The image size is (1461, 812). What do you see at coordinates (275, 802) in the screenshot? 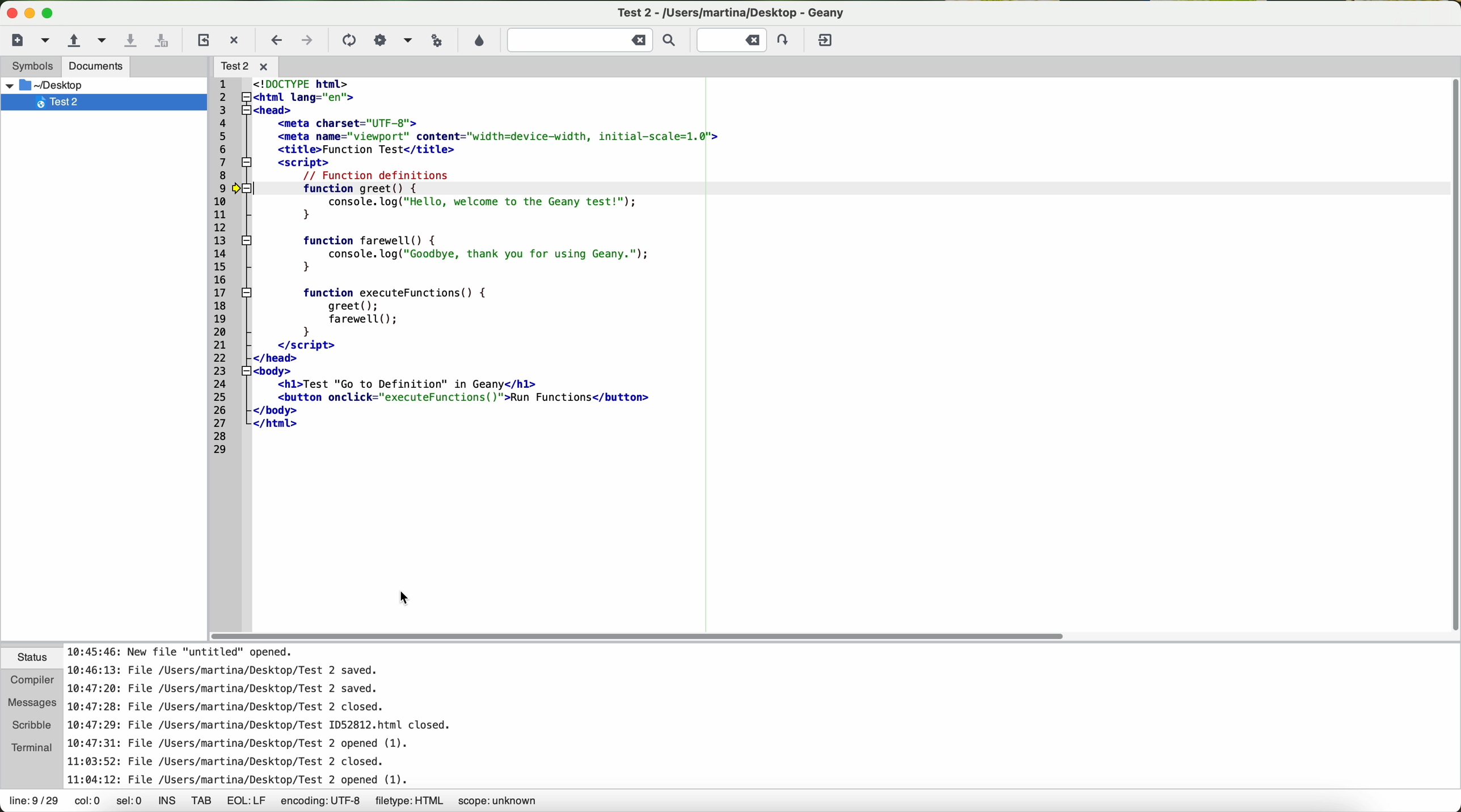
I see `data` at bounding box center [275, 802].